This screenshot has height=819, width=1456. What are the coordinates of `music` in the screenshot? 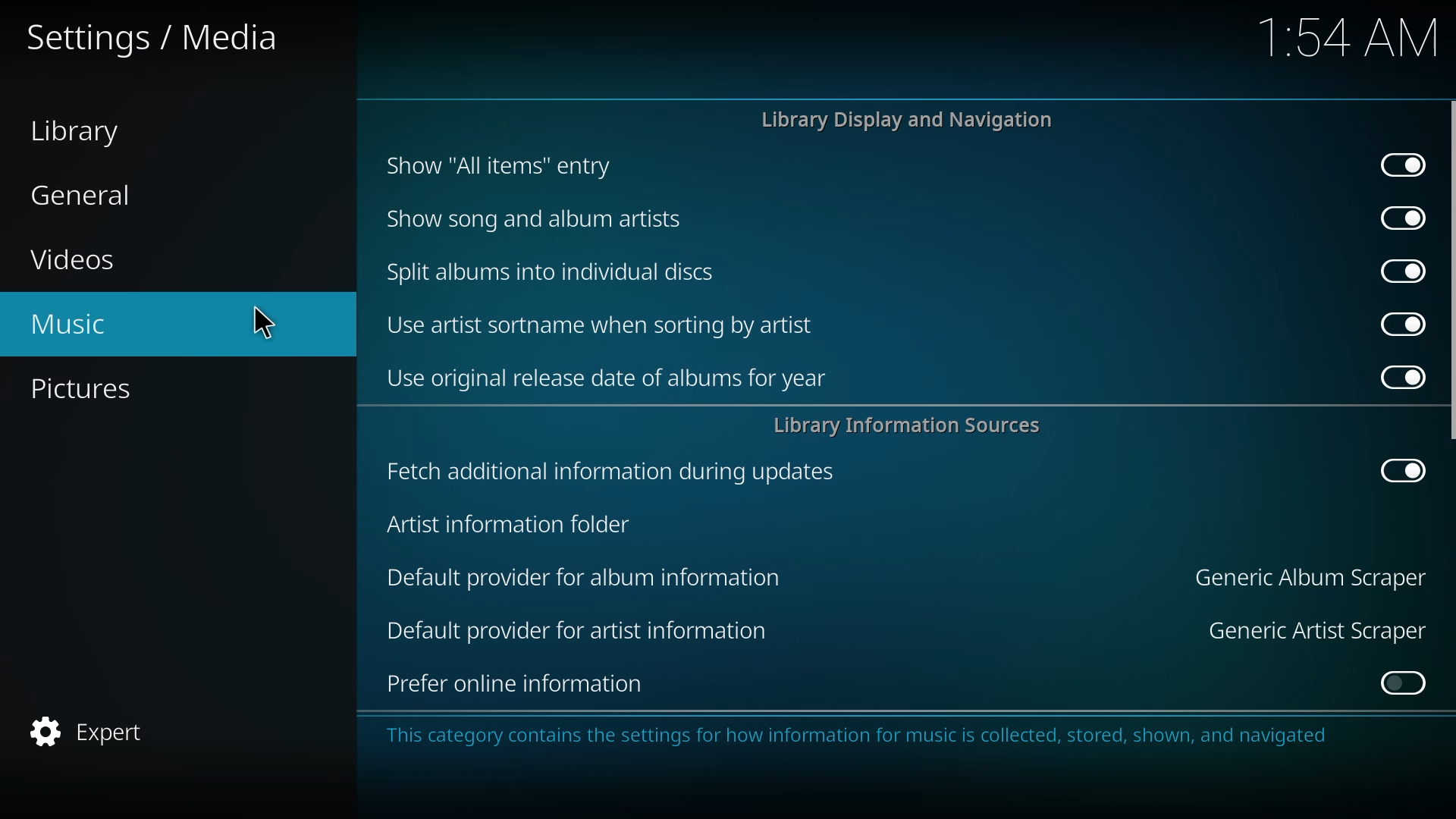 It's located at (82, 325).